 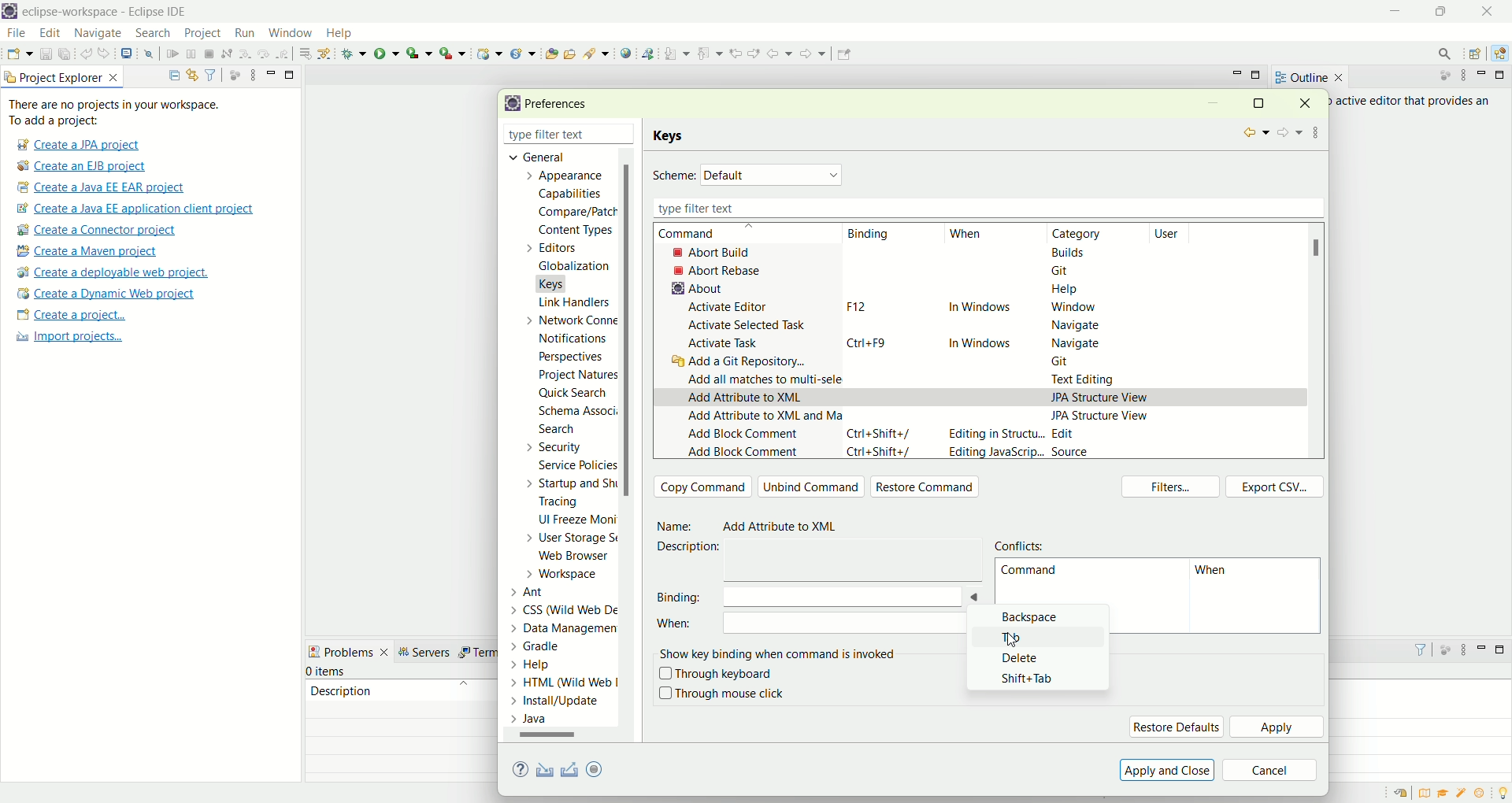 What do you see at coordinates (245, 52) in the screenshot?
I see `step into` at bounding box center [245, 52].